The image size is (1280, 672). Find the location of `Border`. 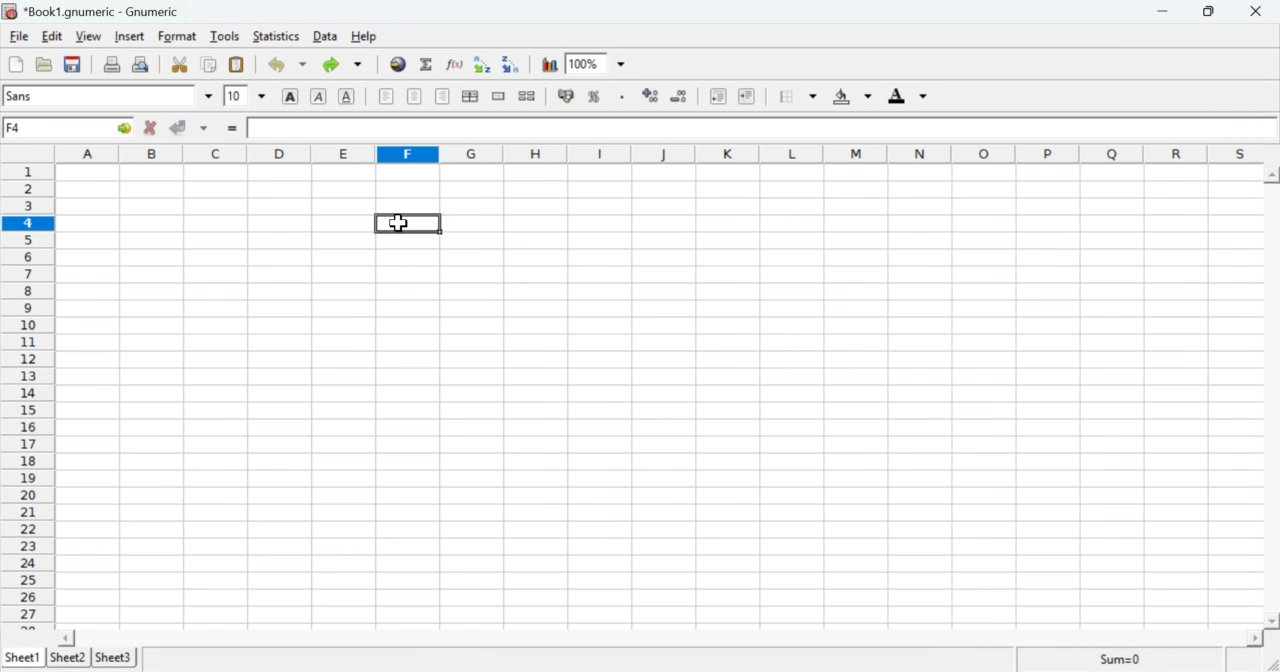

Border is located at coordinates (790, 95).